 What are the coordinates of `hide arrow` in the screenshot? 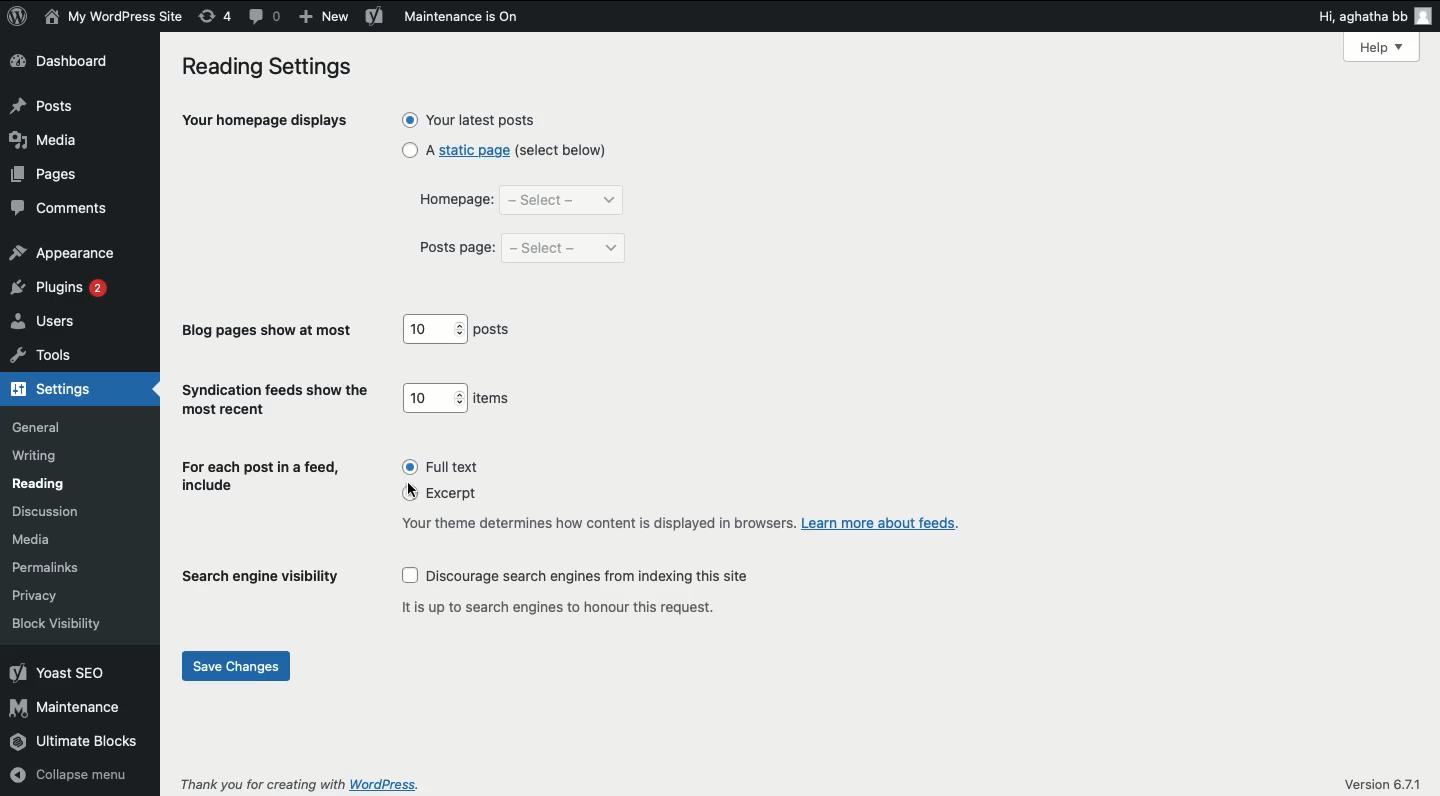 It's located at (154, 392).